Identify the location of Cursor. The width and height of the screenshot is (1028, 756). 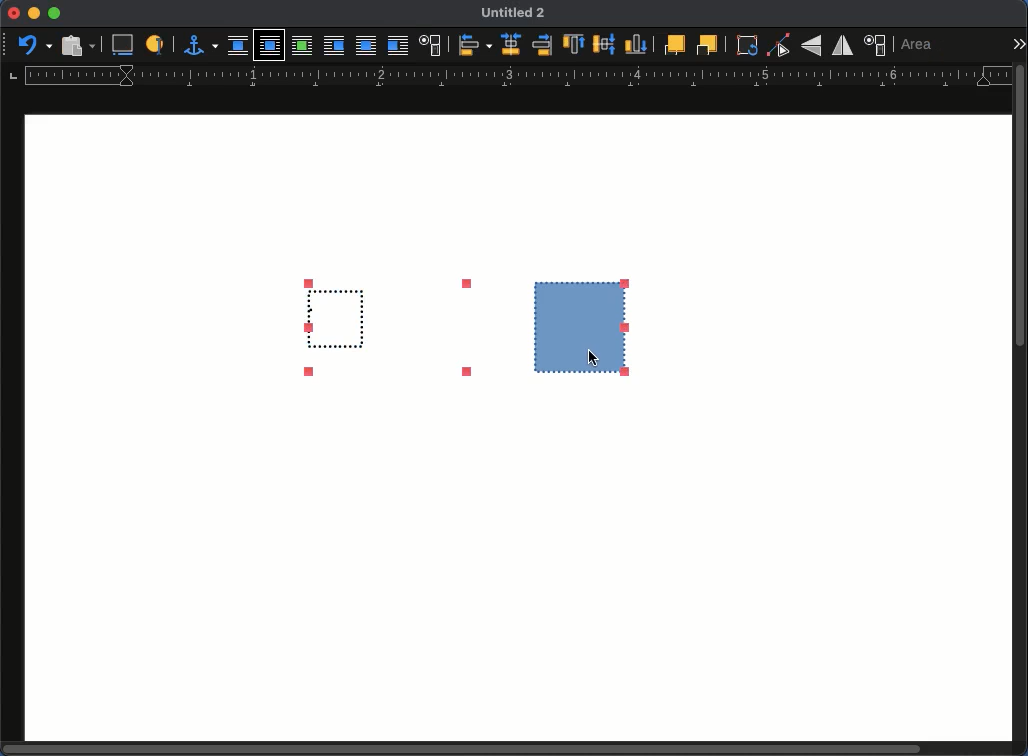
(593, 359).